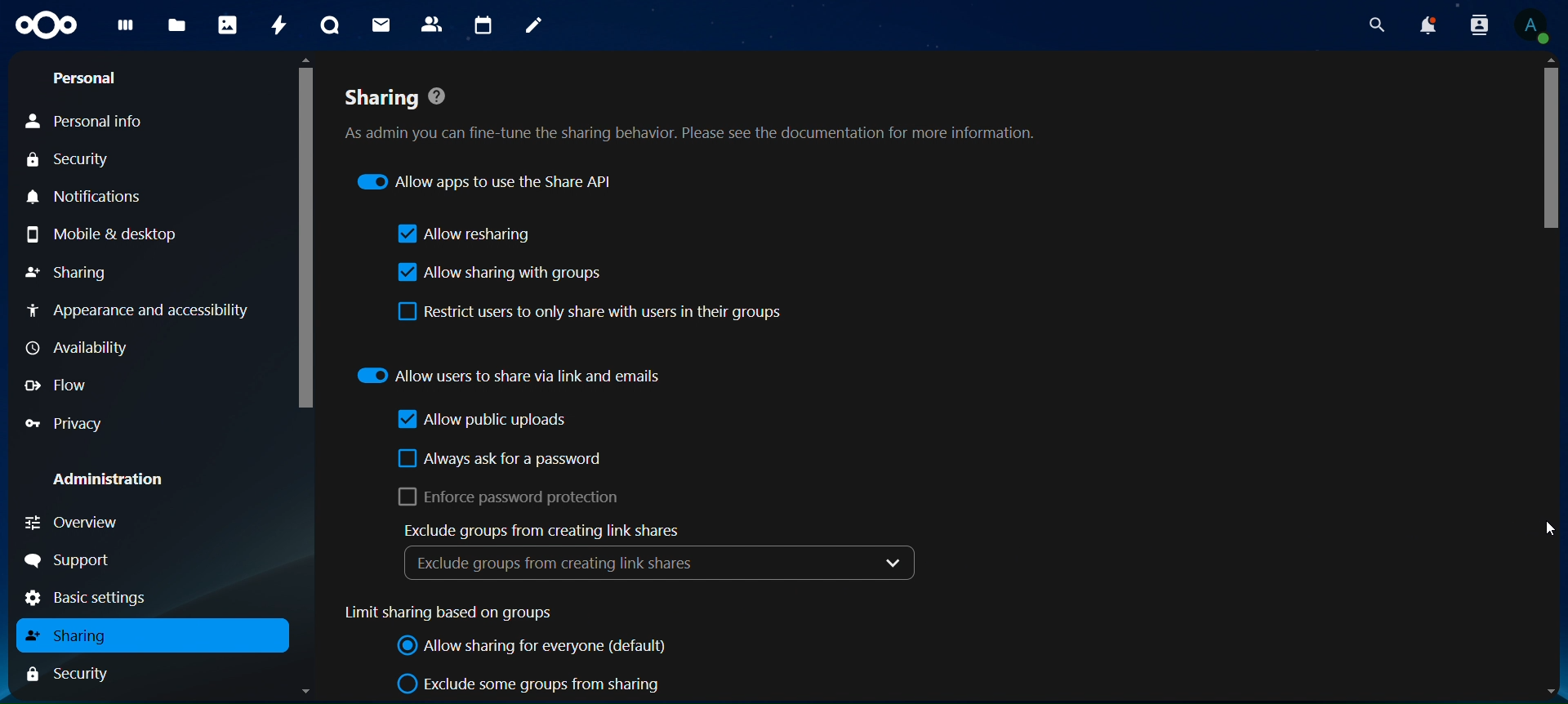  I want to click on notifications, so click(99, 198).